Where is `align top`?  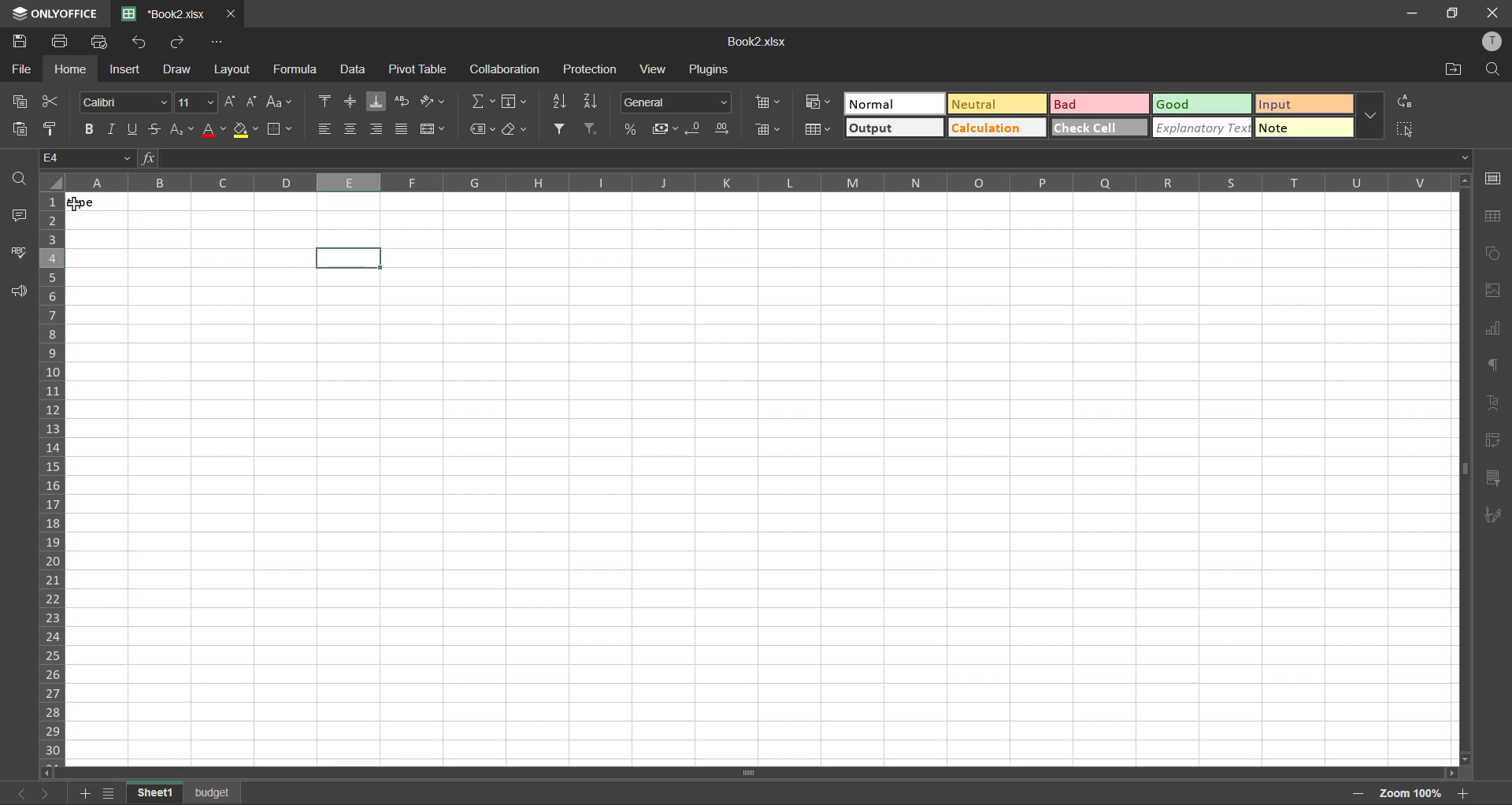 align top is located at coordinates (322, 99).